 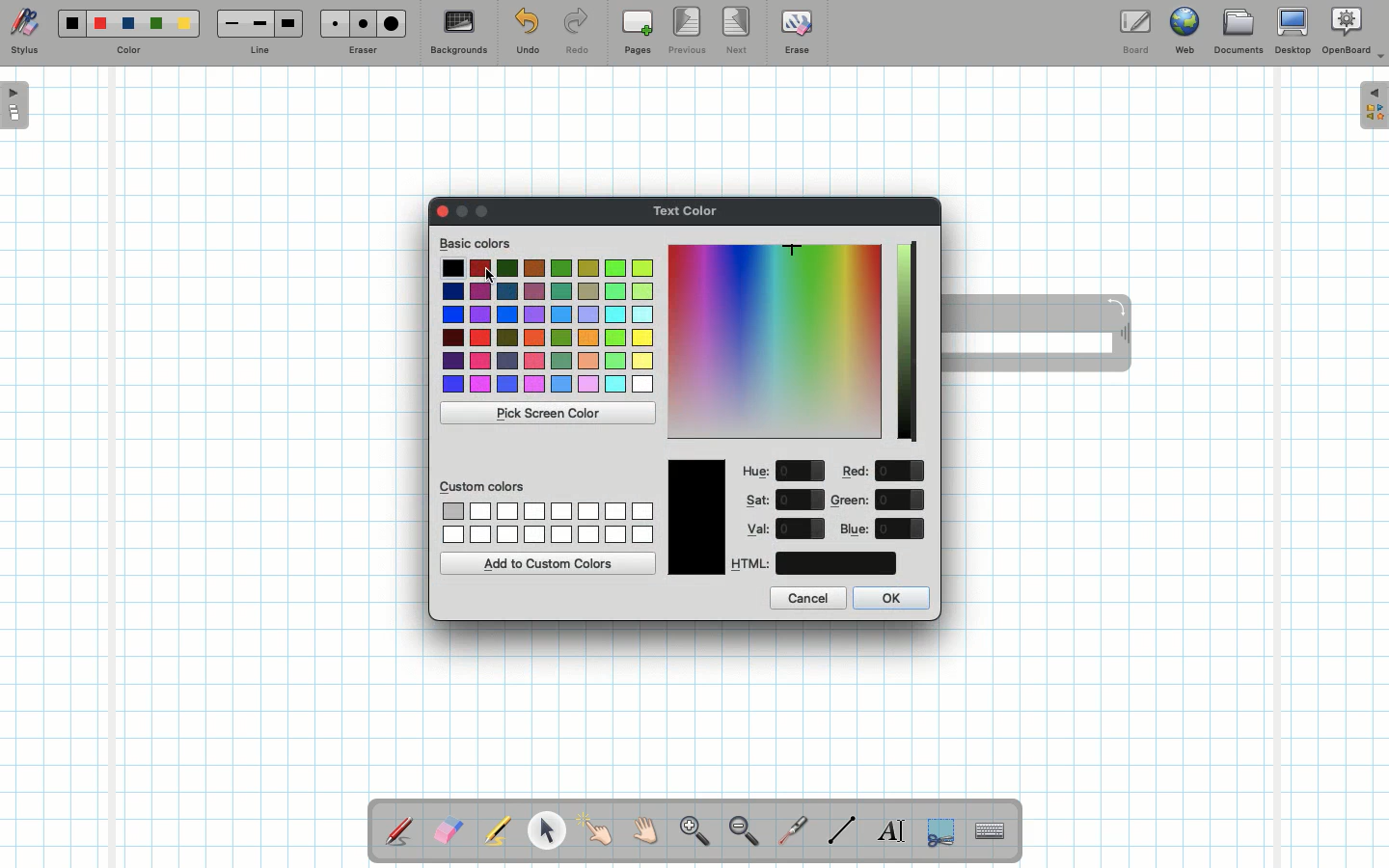 What do you see at coordinates (807, 598) in the screenshot?
I see `Cancel` at bounding box center [807, 598].